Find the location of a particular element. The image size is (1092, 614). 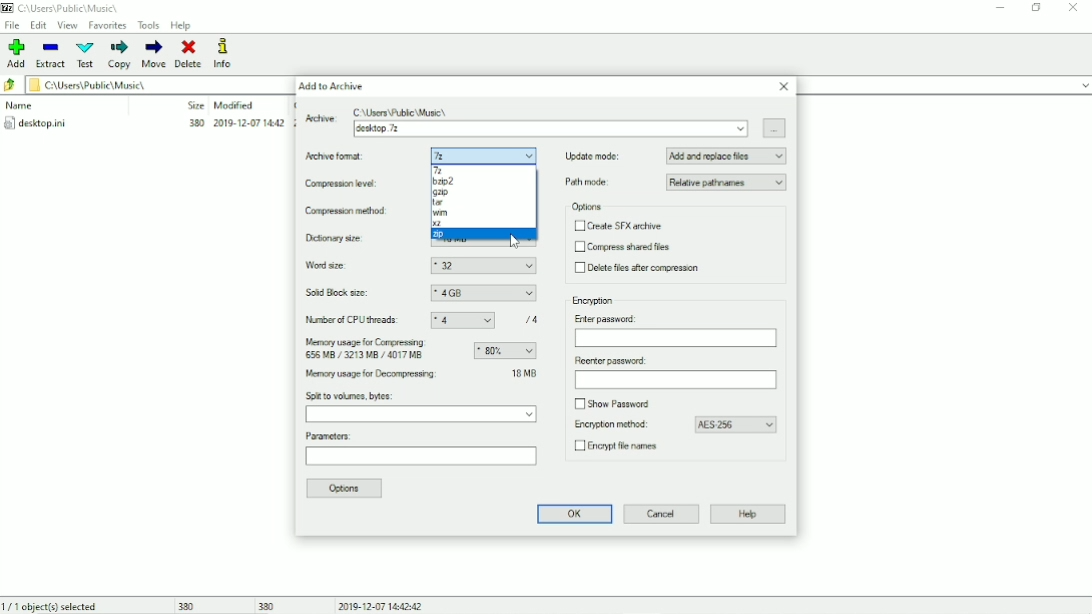

Dictionary size is located at coordinates (354, 239).